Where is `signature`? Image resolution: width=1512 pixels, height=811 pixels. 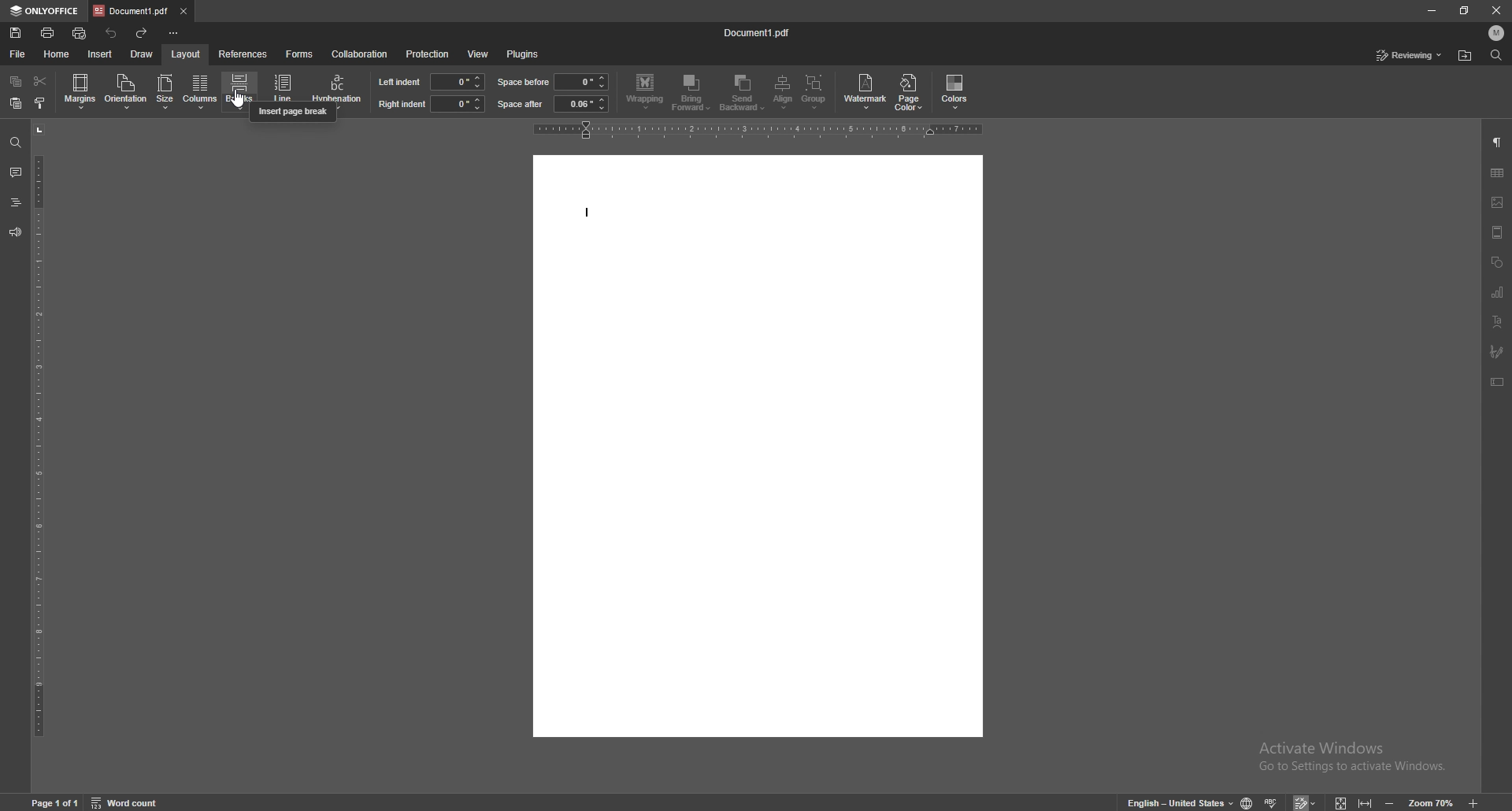
signature is located at coordinates (1494, 350).